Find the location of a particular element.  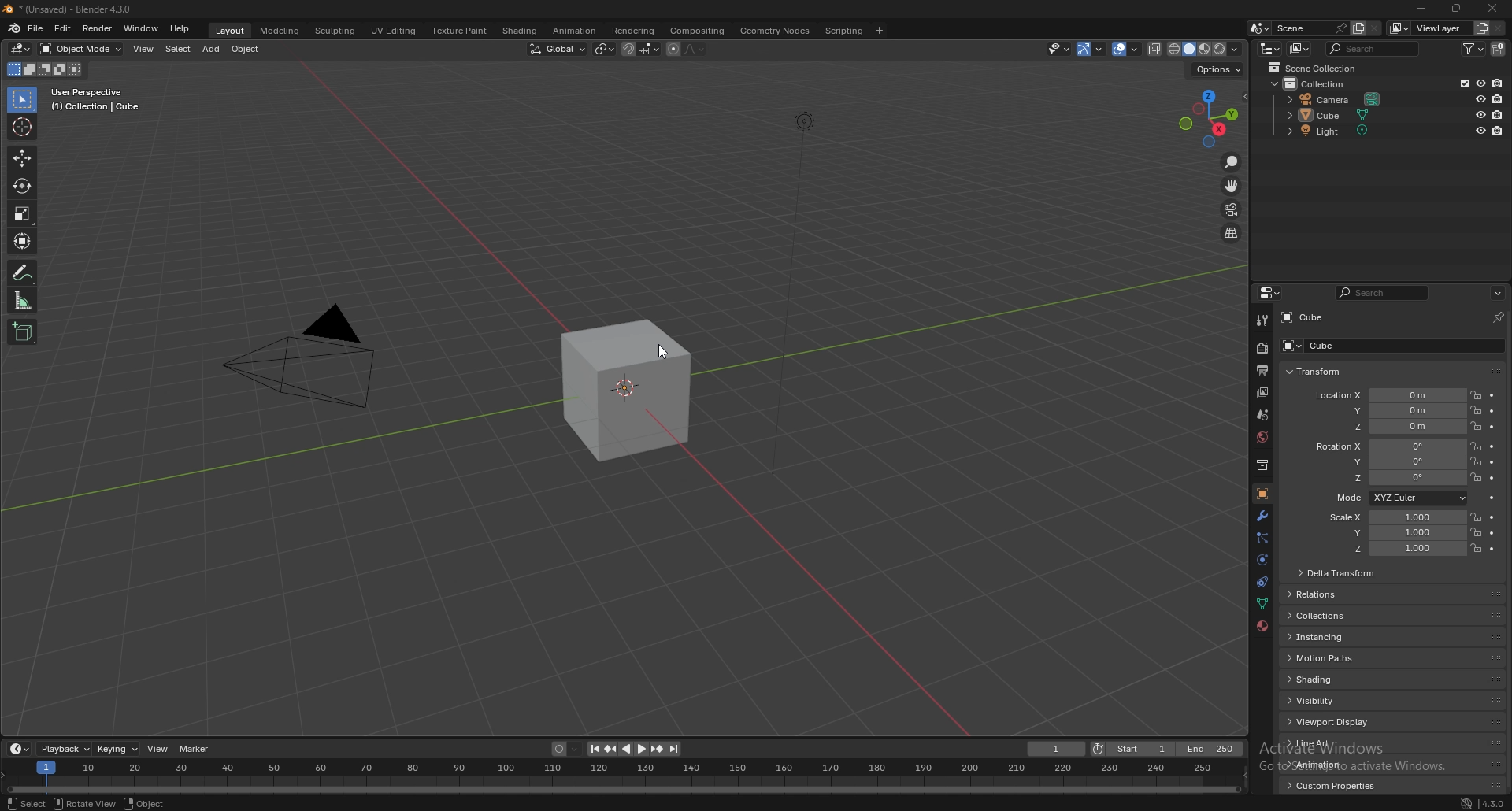

proportional editing object is located at coordinates (674, 50).